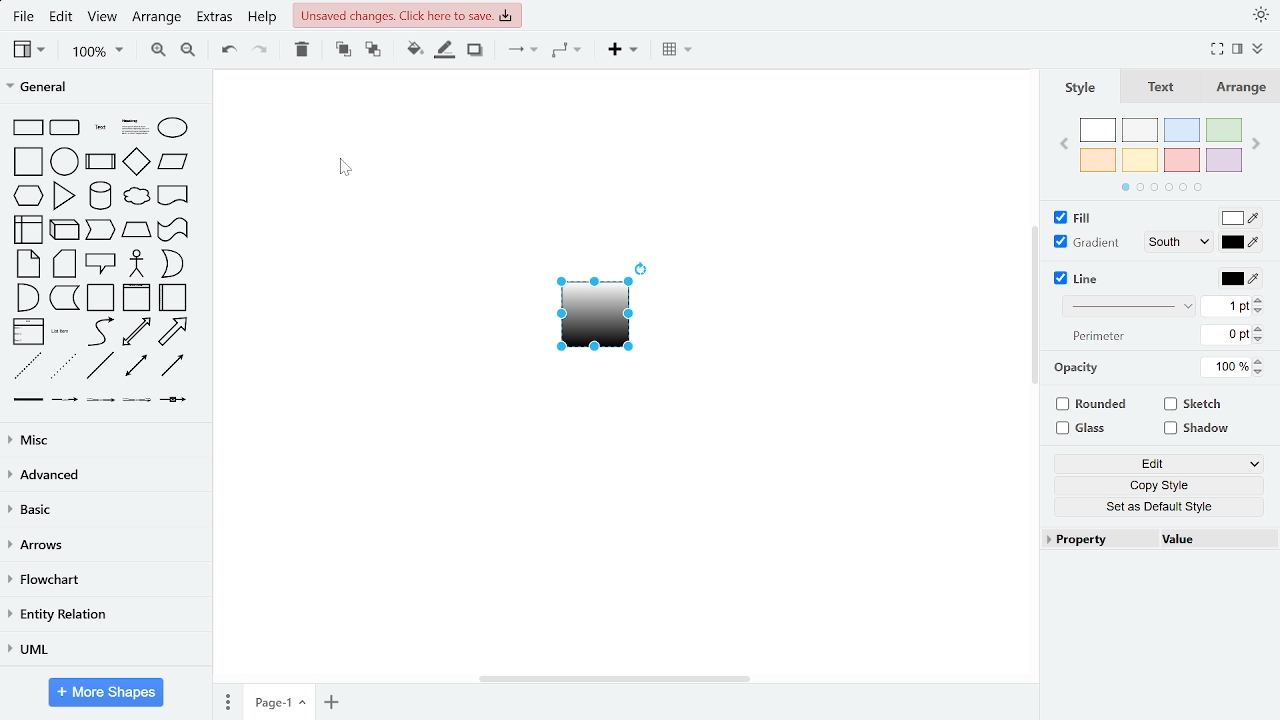 The image size is (1280, 720). I want to click on insert, so click(621, 51).